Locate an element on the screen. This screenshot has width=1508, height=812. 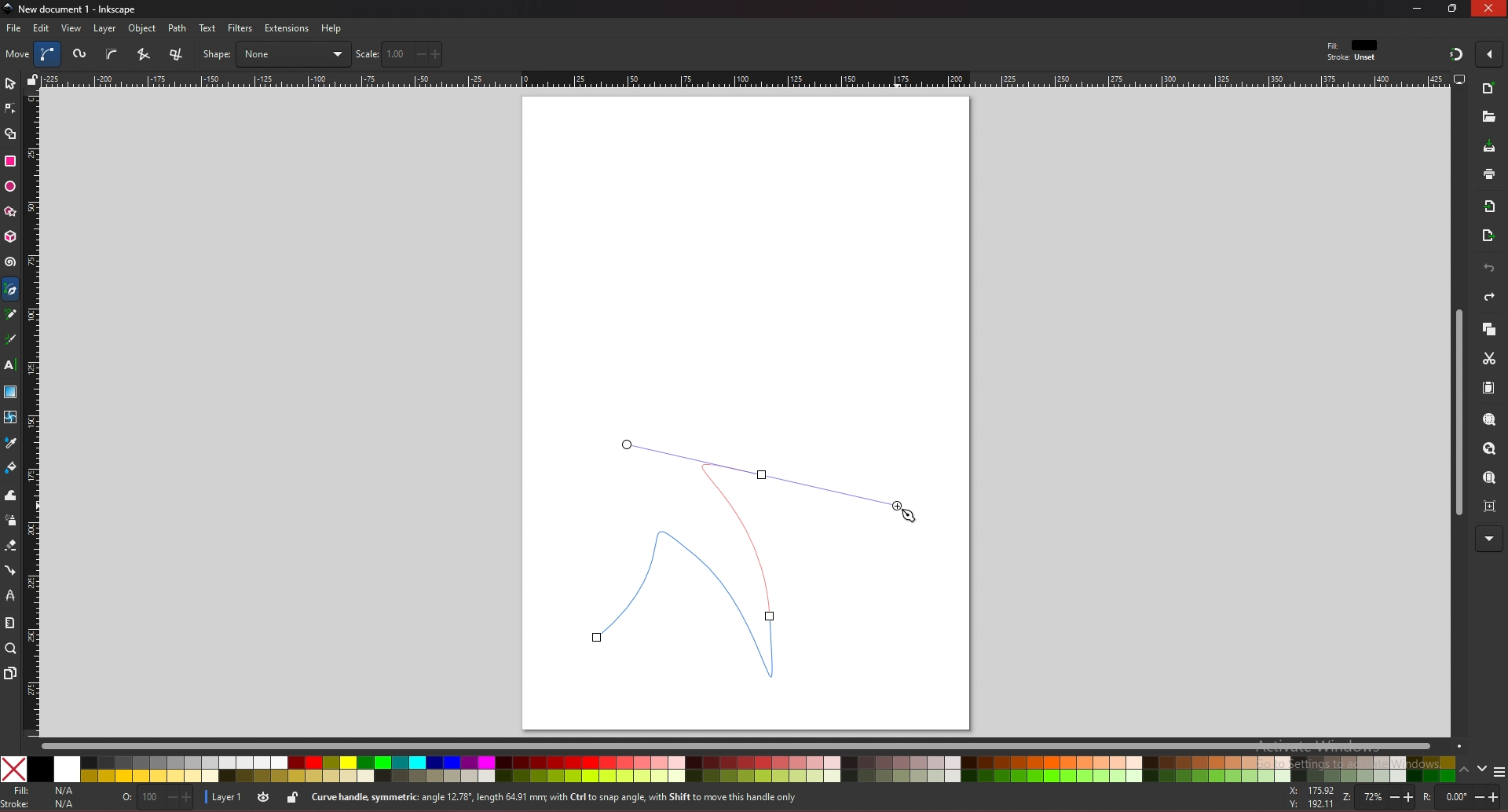
zoom centre page is located at coordinates (1492, 505).